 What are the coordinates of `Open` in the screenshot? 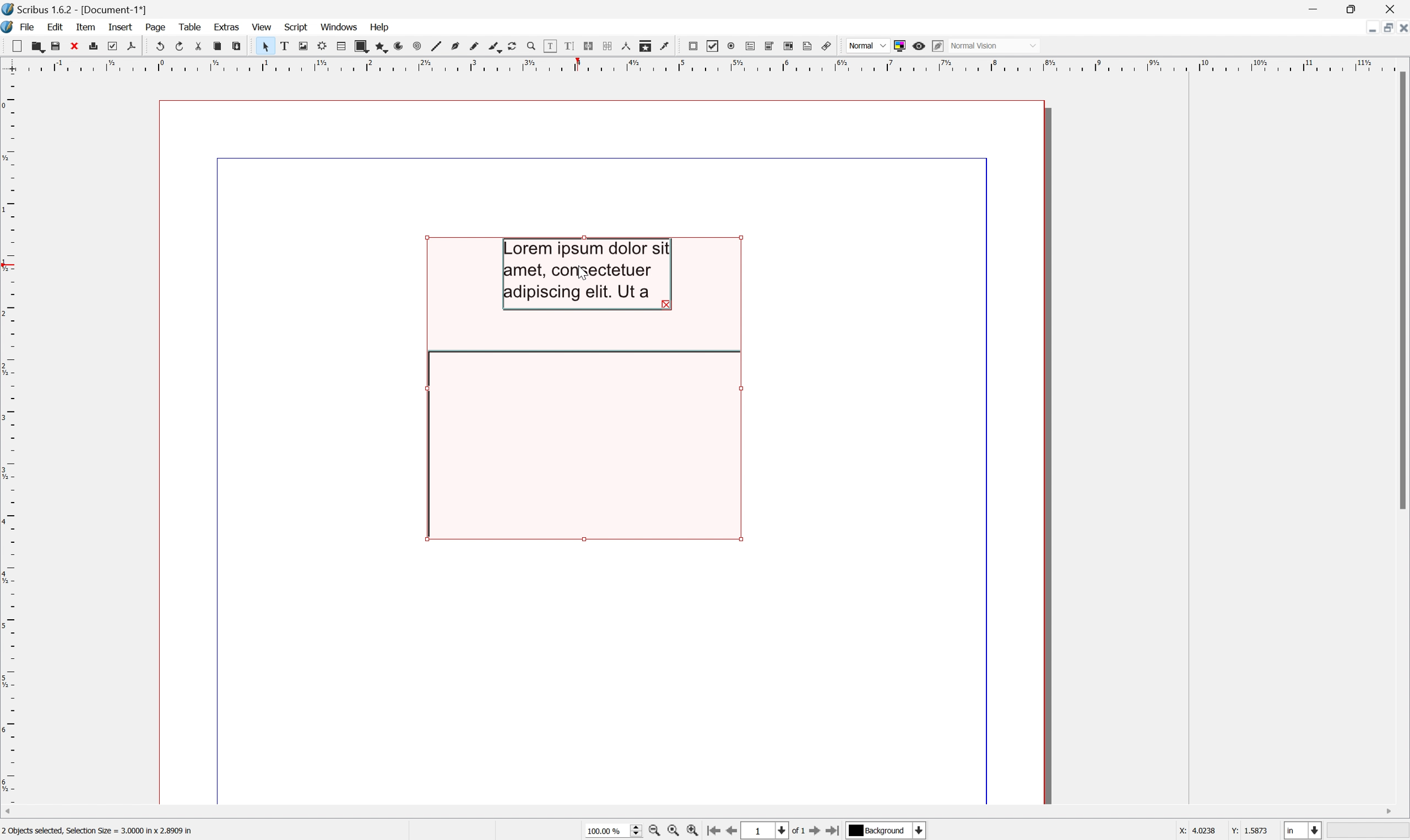 It's located at (33, 47).